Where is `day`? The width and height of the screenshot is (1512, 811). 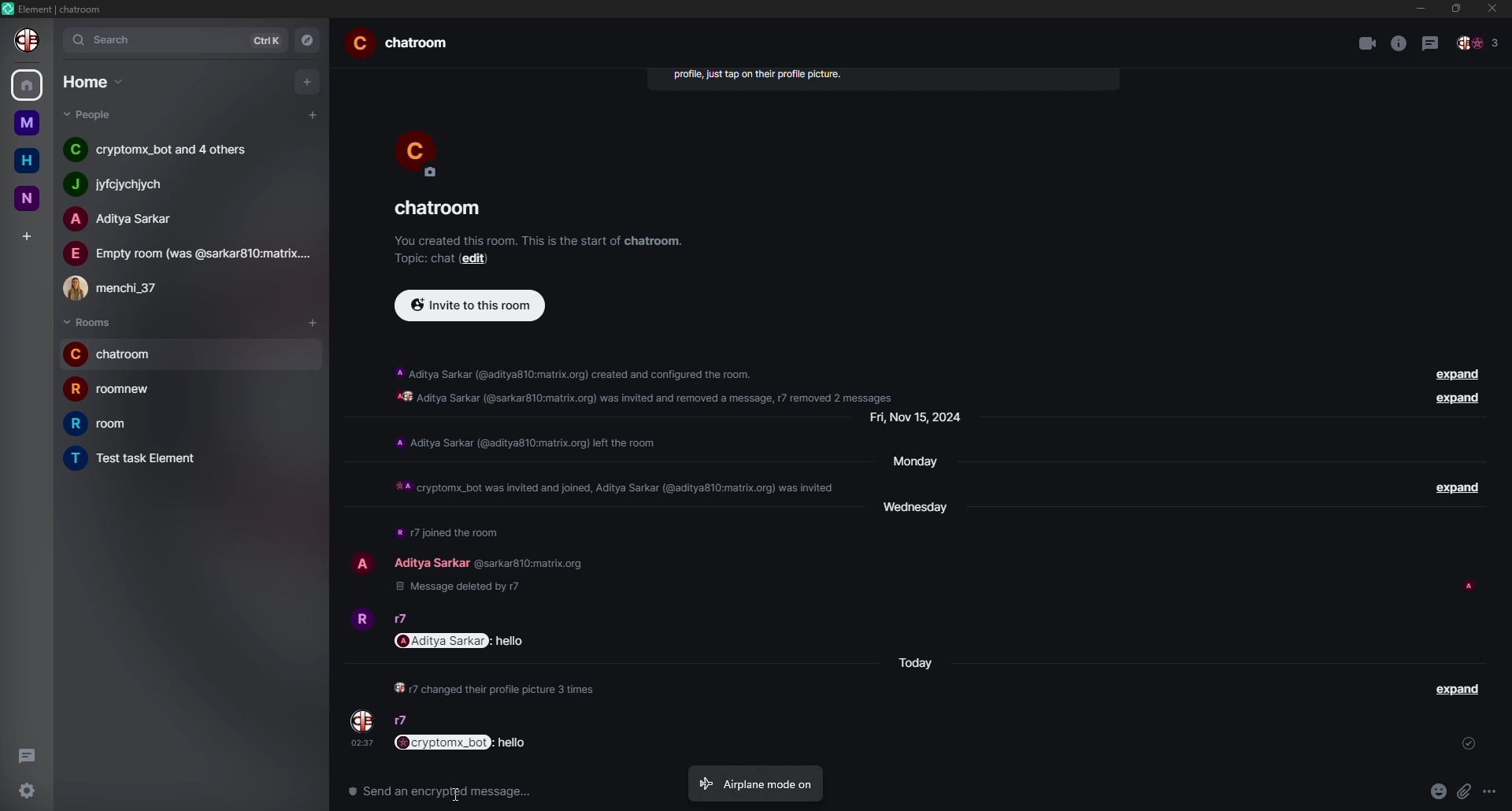 day is located at coordinates (917, 464).